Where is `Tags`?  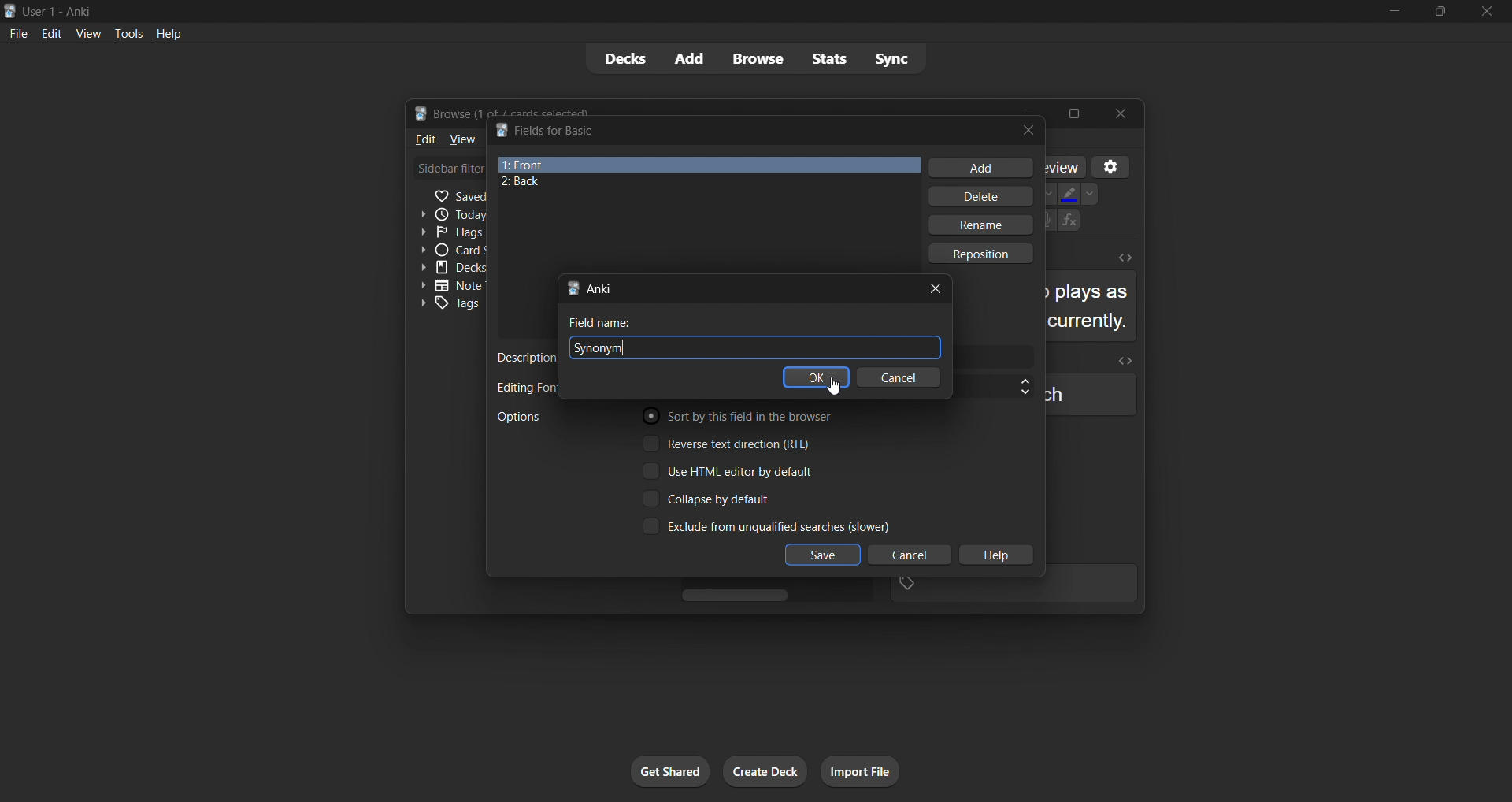
Tags is located at coordinates (449, 305).